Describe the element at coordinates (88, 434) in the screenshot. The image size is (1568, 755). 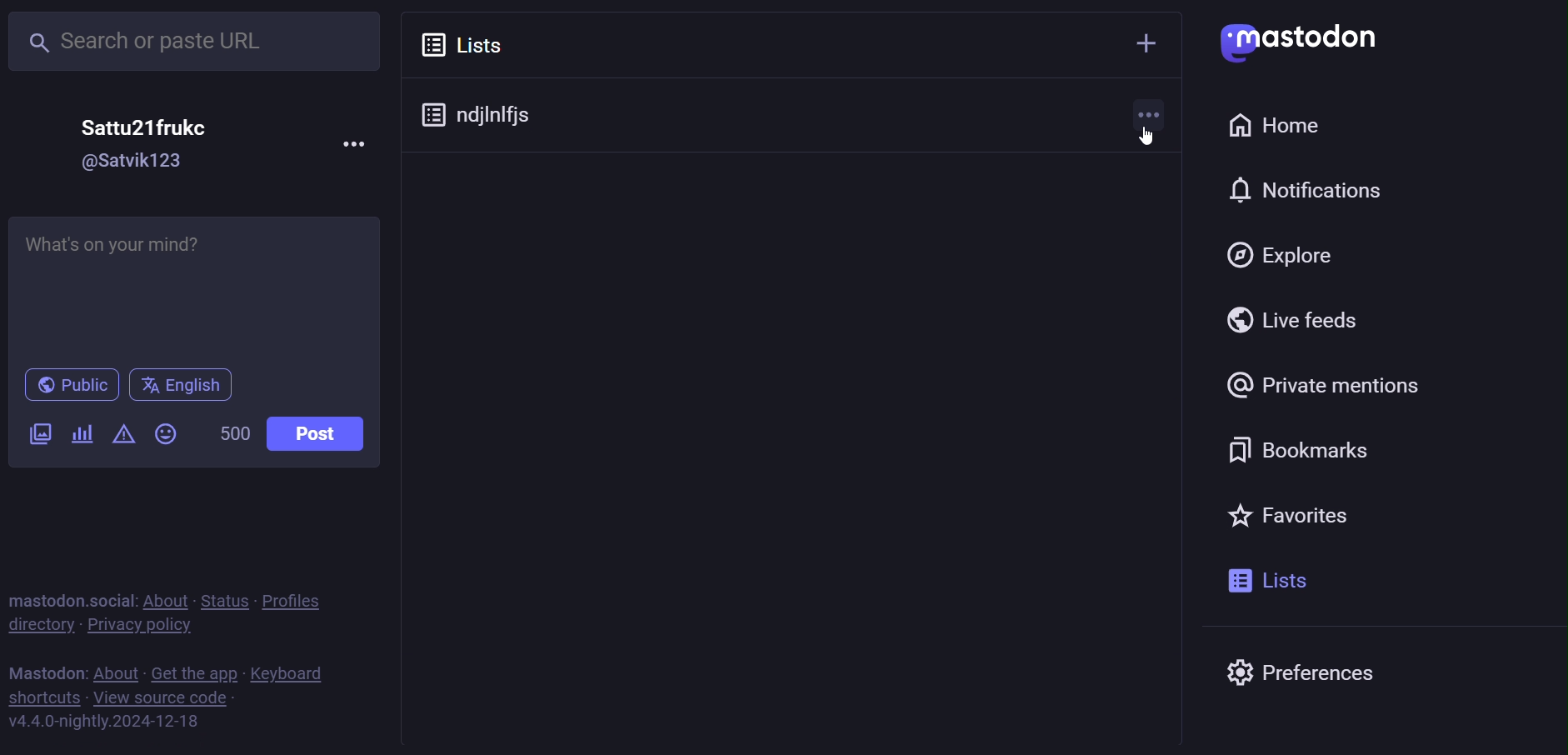
I see `poll` at that location.